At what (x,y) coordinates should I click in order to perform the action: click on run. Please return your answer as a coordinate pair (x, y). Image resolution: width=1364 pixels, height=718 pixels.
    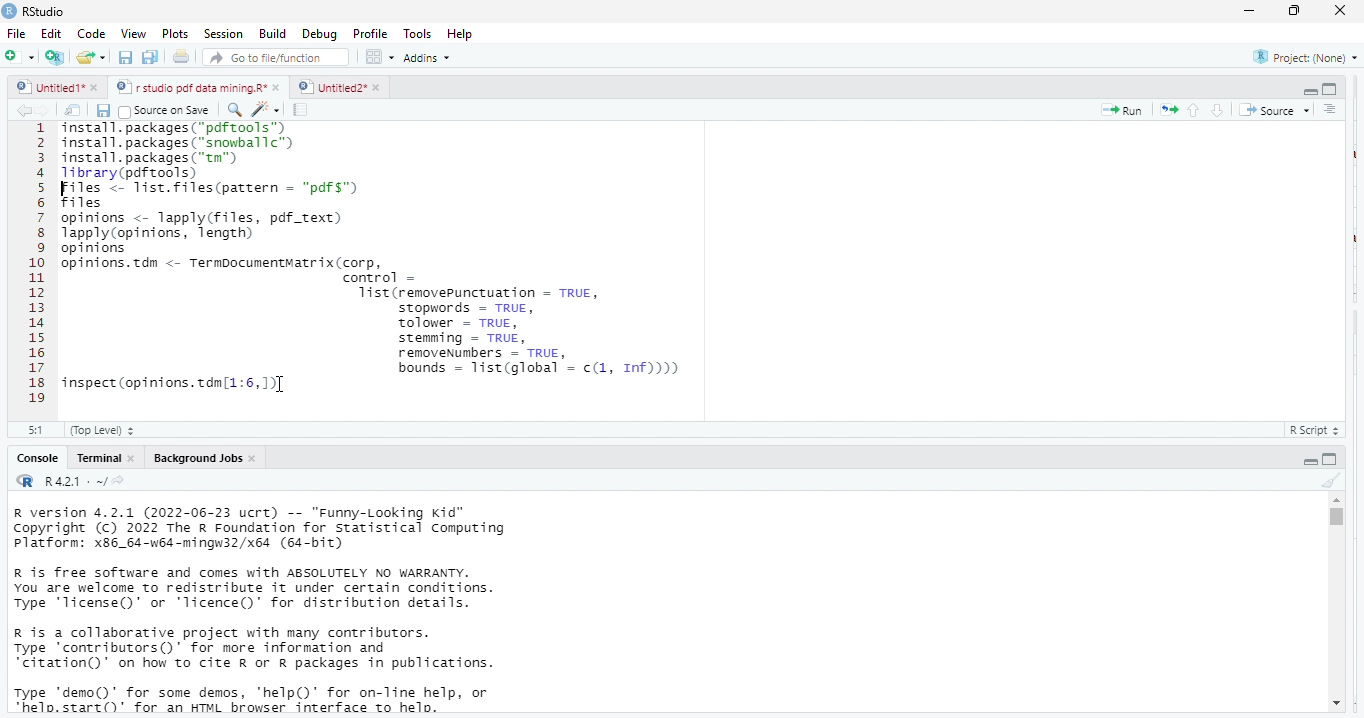
    Looking at the image, I should click on (1122, 110).